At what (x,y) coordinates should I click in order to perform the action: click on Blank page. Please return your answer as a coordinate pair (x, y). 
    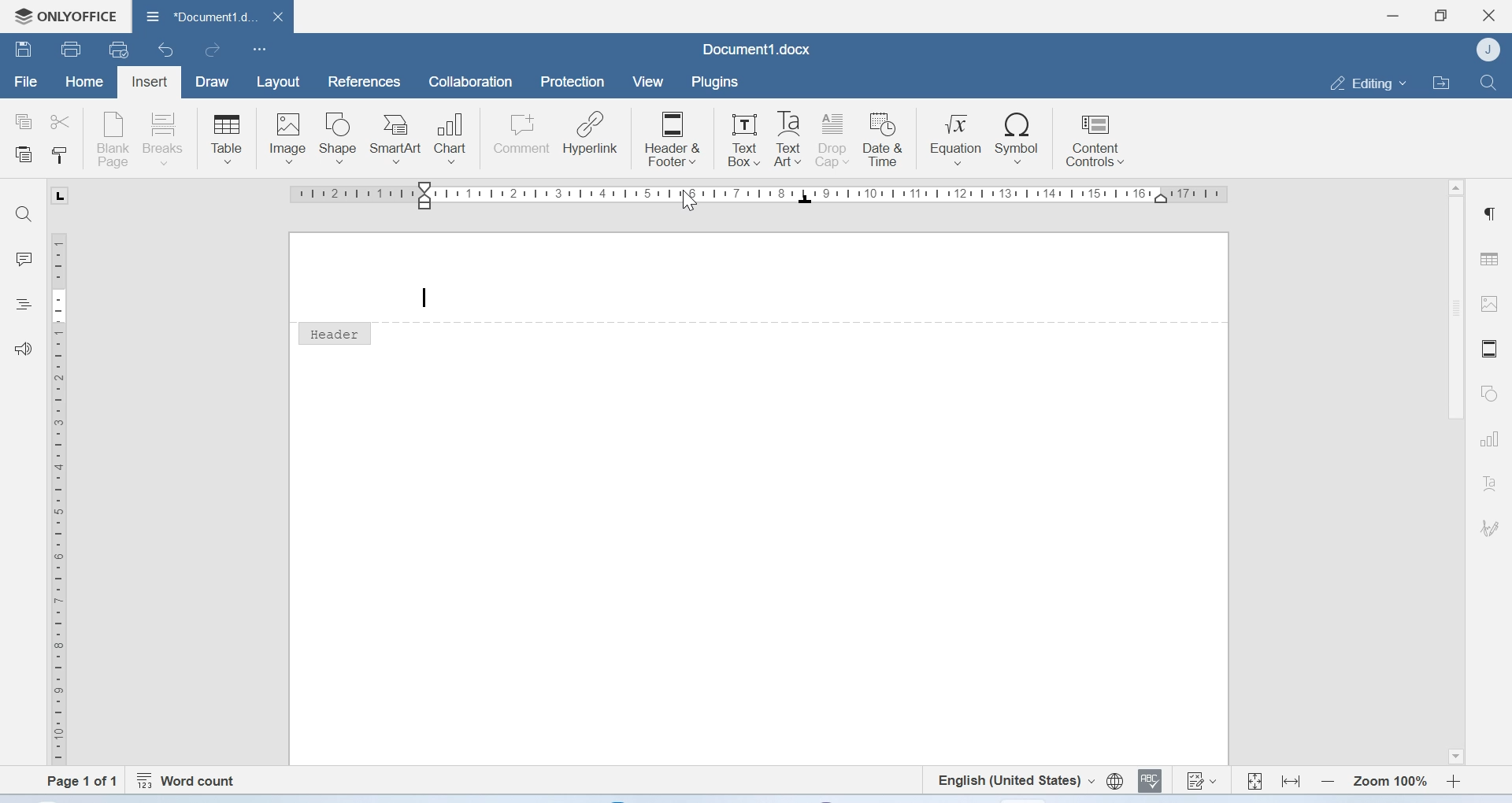
    Looking at the image, I should click on (114, 138).